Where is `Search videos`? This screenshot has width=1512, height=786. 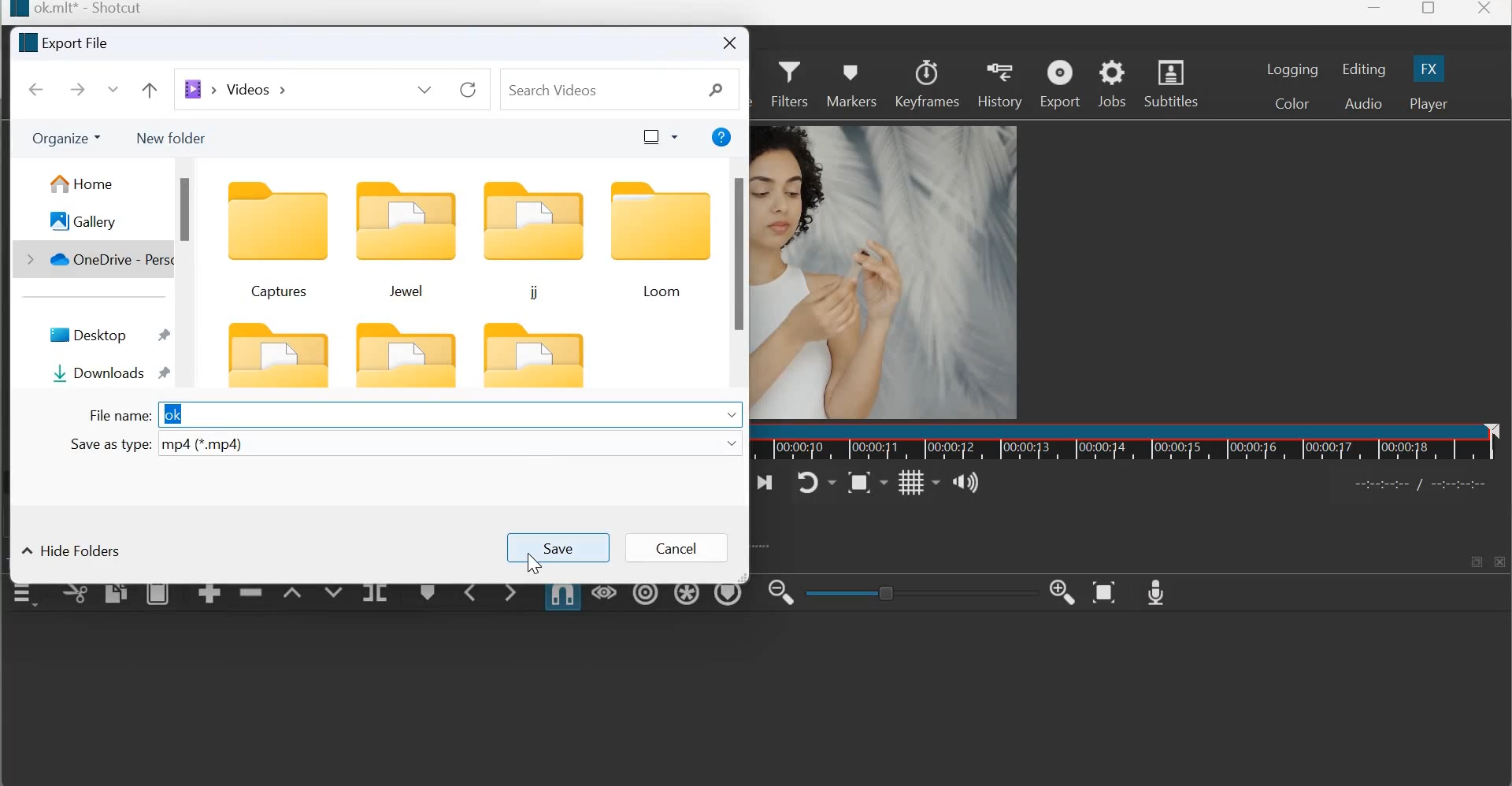 Search videos is located at coordinates (615, 89).